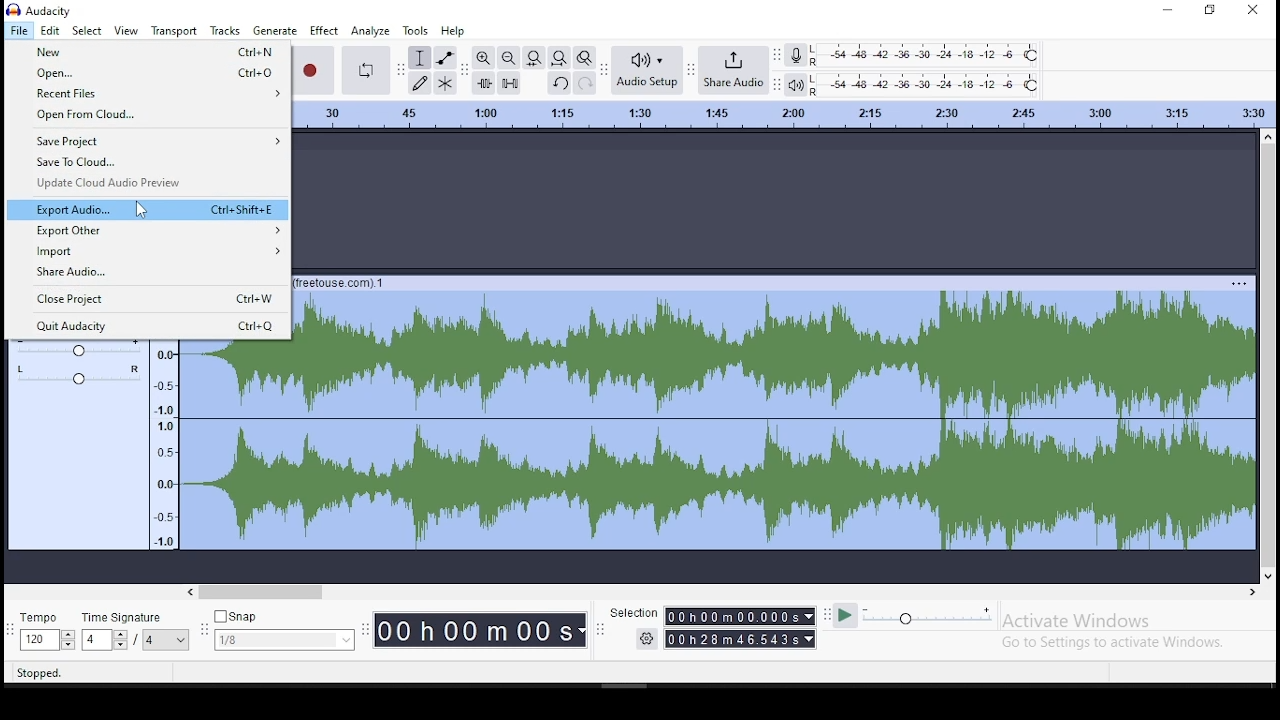 The height and width of the screenshot is (720, 1280). Describe the element at coordinates (147, 140) in the screenshot. I see `save project` at that location.